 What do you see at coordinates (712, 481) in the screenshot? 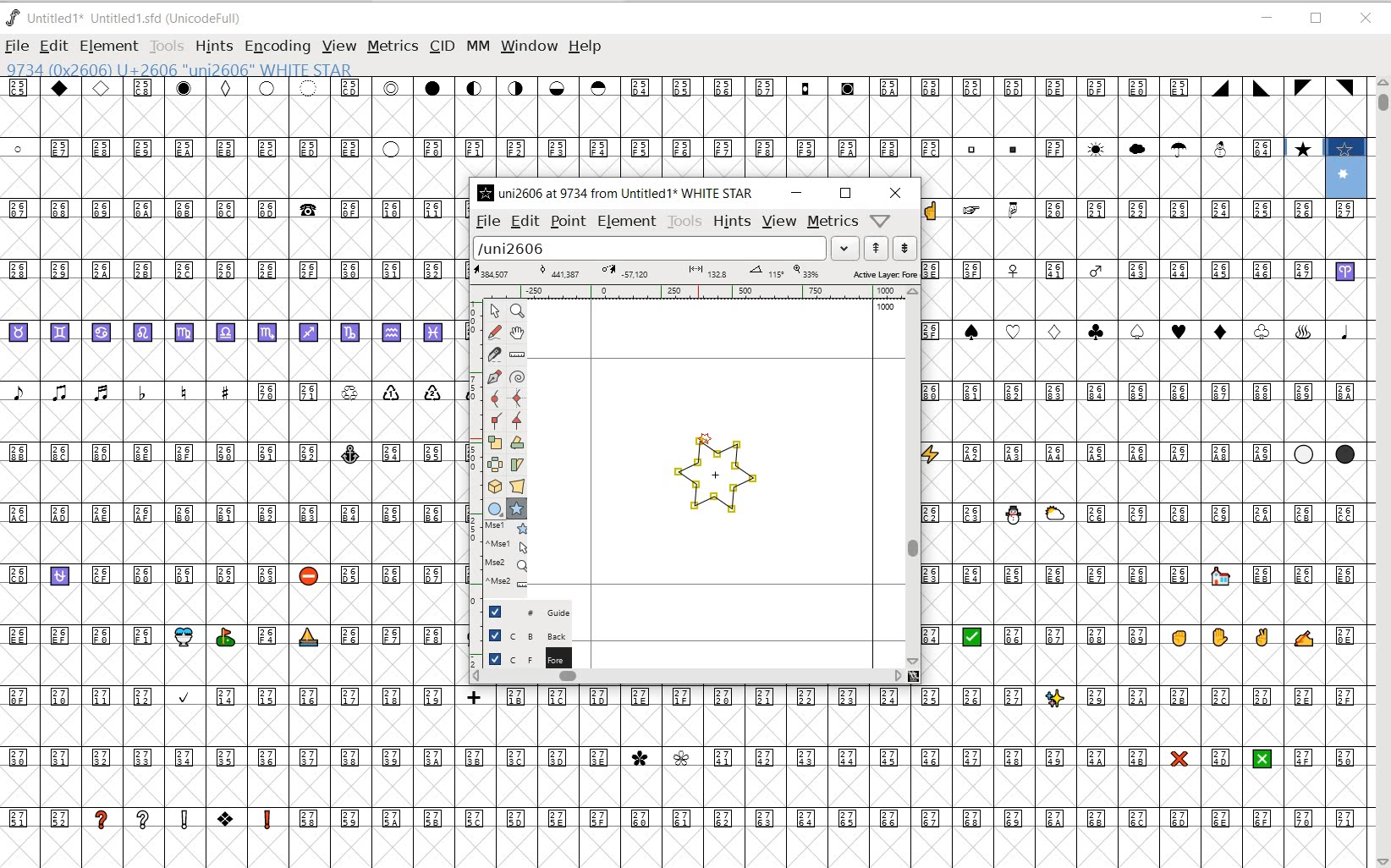
I see `a star shape glyph creation` at bounding box center [712, 481].